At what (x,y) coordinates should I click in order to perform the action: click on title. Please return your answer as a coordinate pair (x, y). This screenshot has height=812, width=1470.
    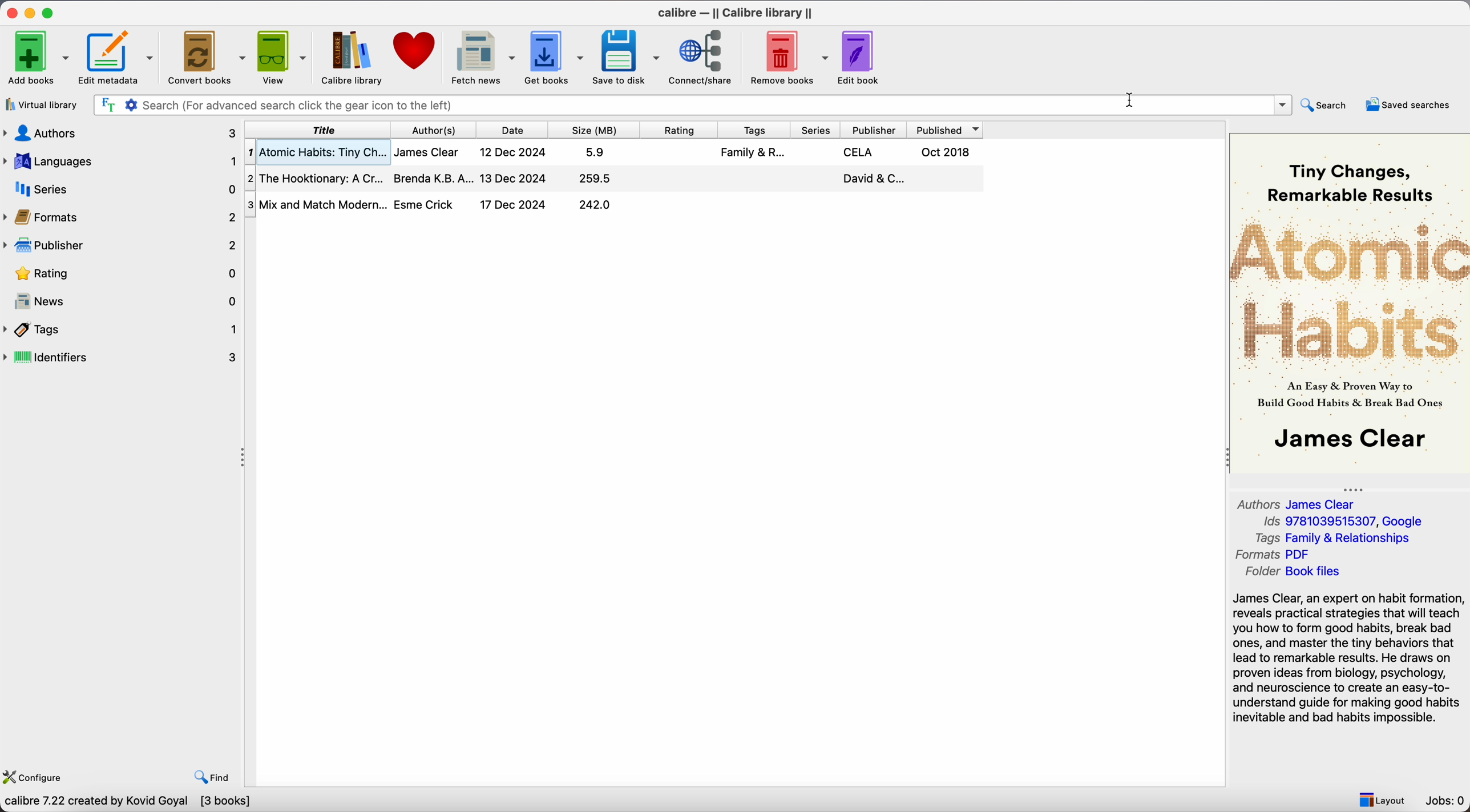
    Looking at the image, I should click on (324, 130).